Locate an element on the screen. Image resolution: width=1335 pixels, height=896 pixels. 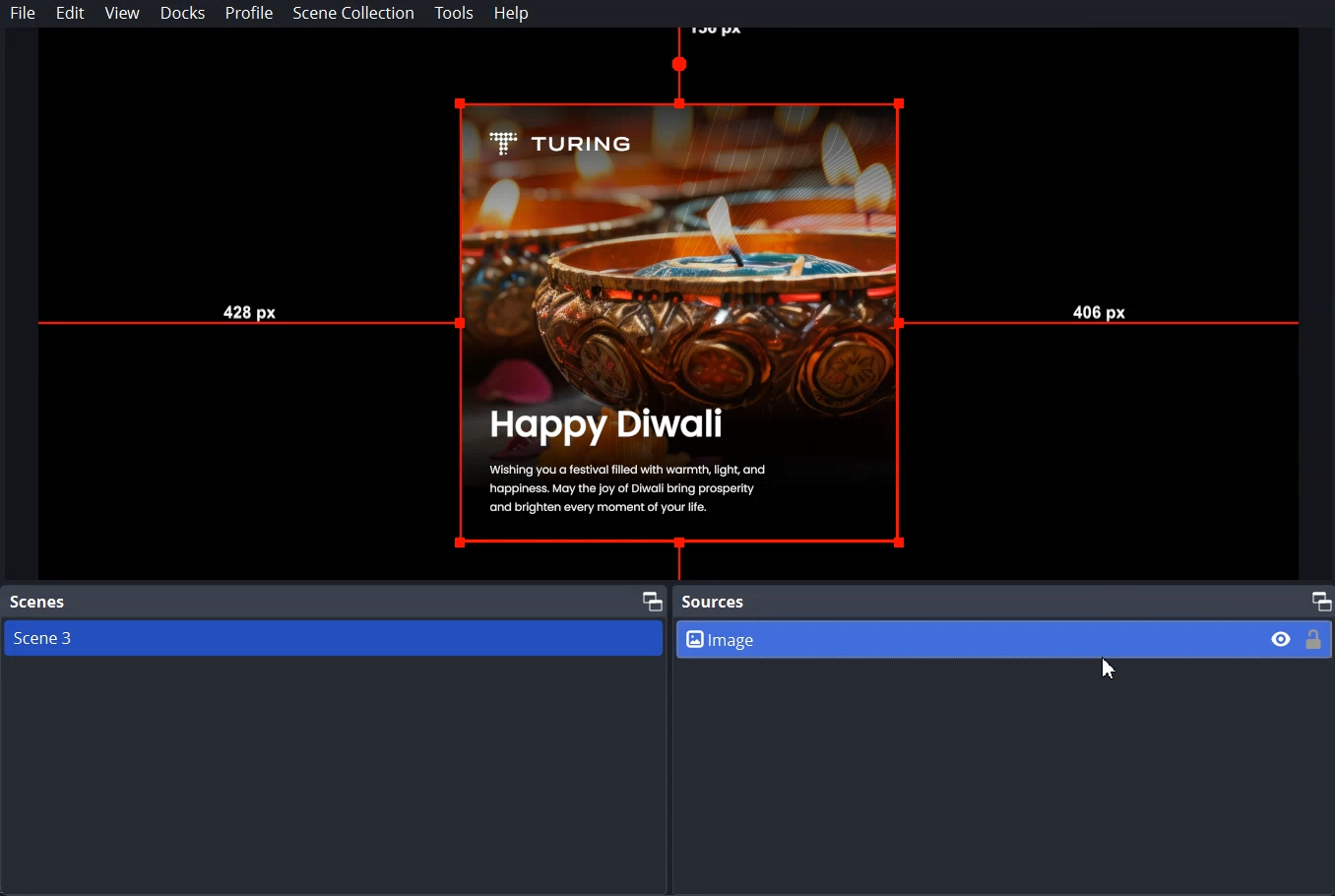
Maximize is located at coordinates (1320, 600).